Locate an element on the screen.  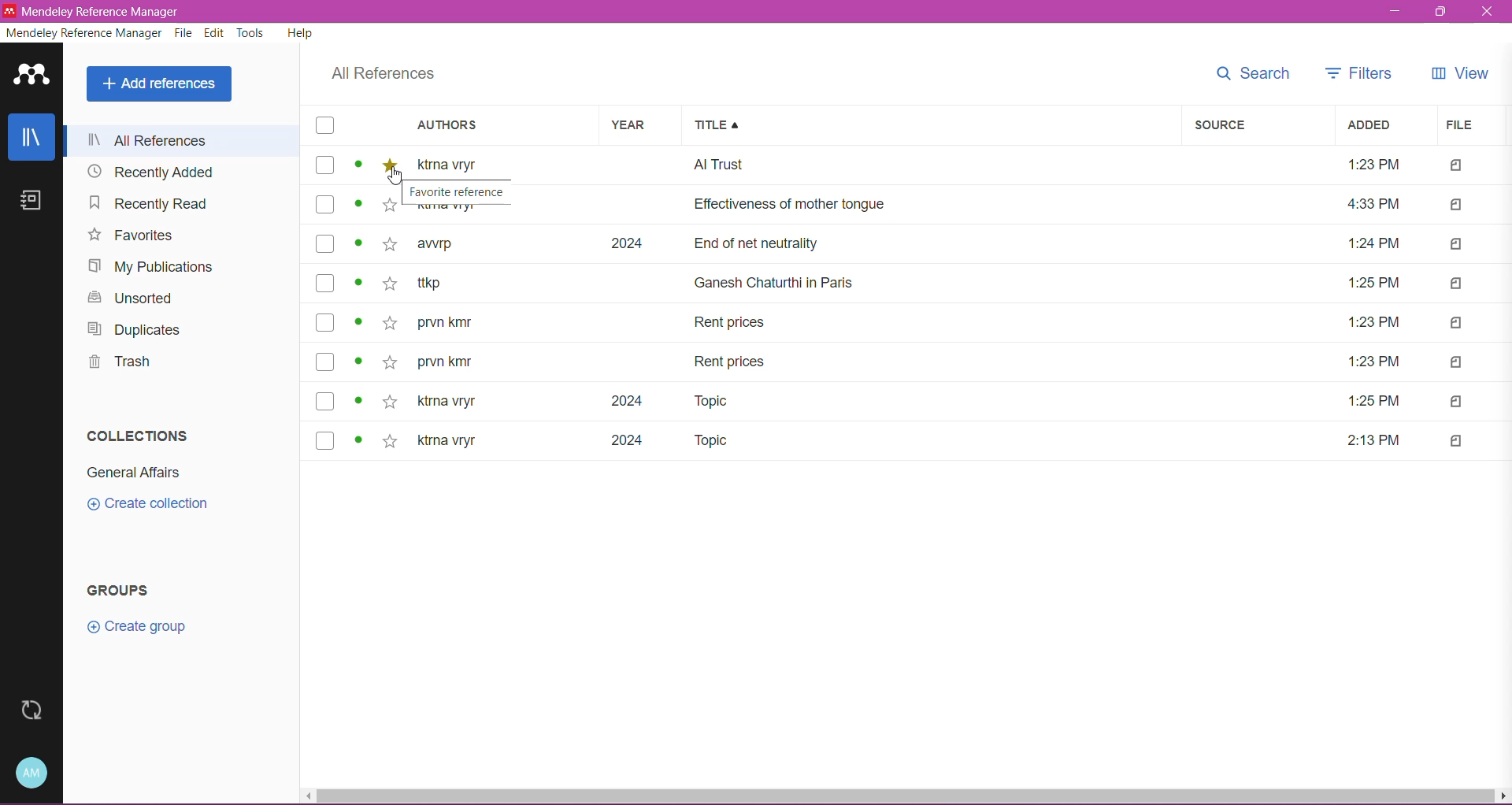
Click to see more details is located at coordinates (359, 165).